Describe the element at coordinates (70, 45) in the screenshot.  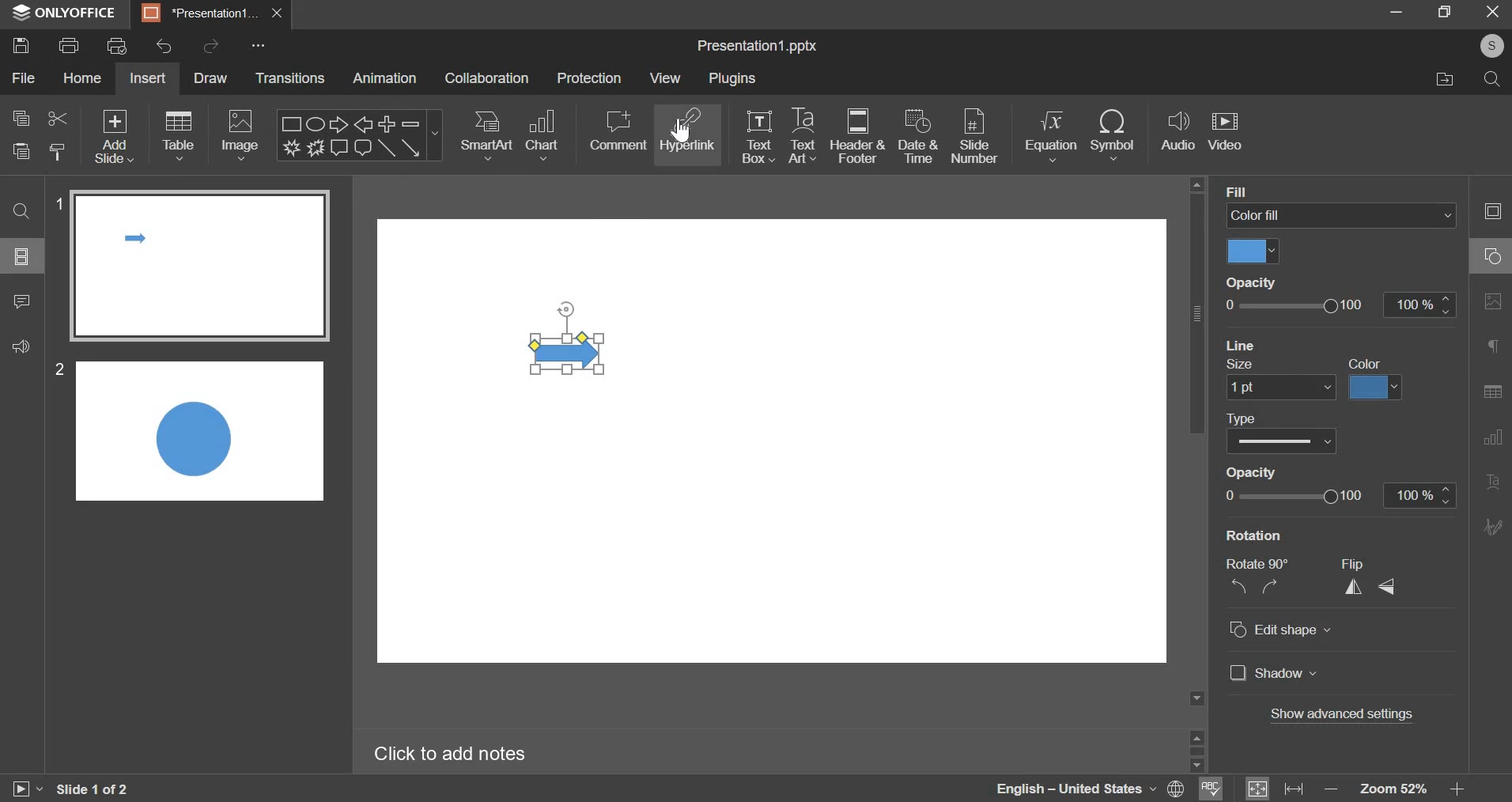
I see `print` at that location.